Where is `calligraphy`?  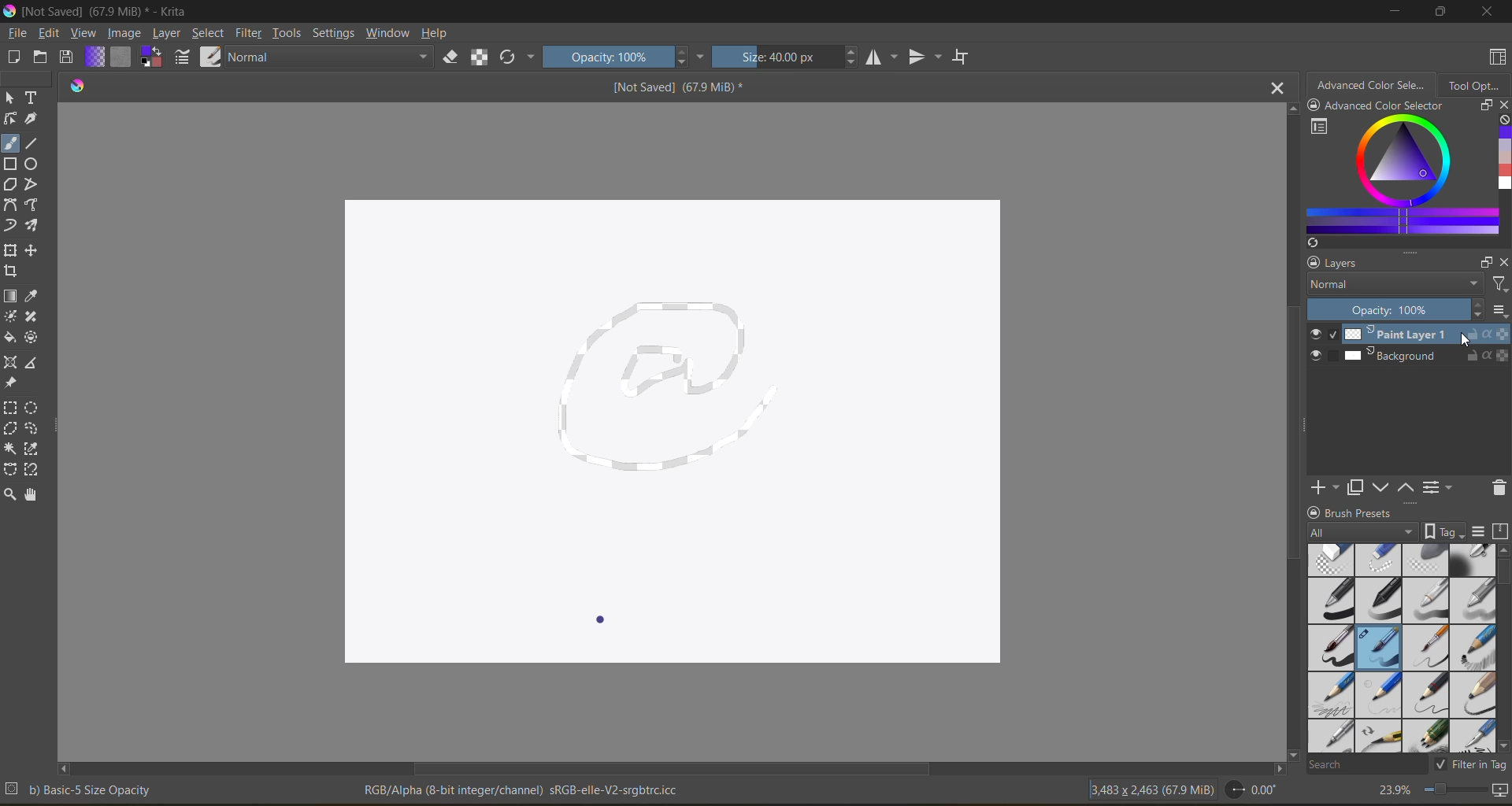
calligraphy is located at coordinates (32, 119).